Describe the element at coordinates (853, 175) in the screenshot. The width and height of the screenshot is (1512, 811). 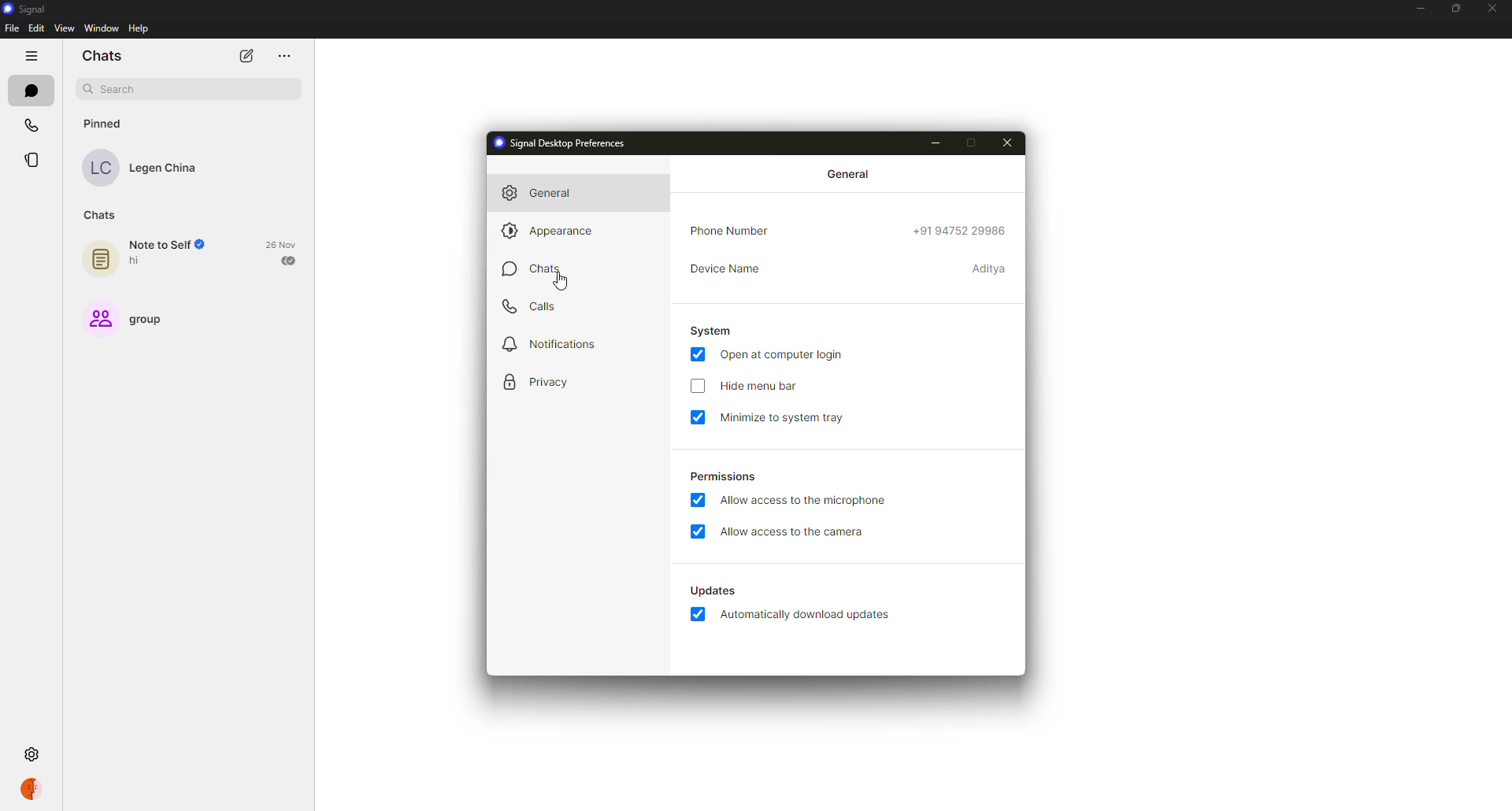
I see `general` at that location.